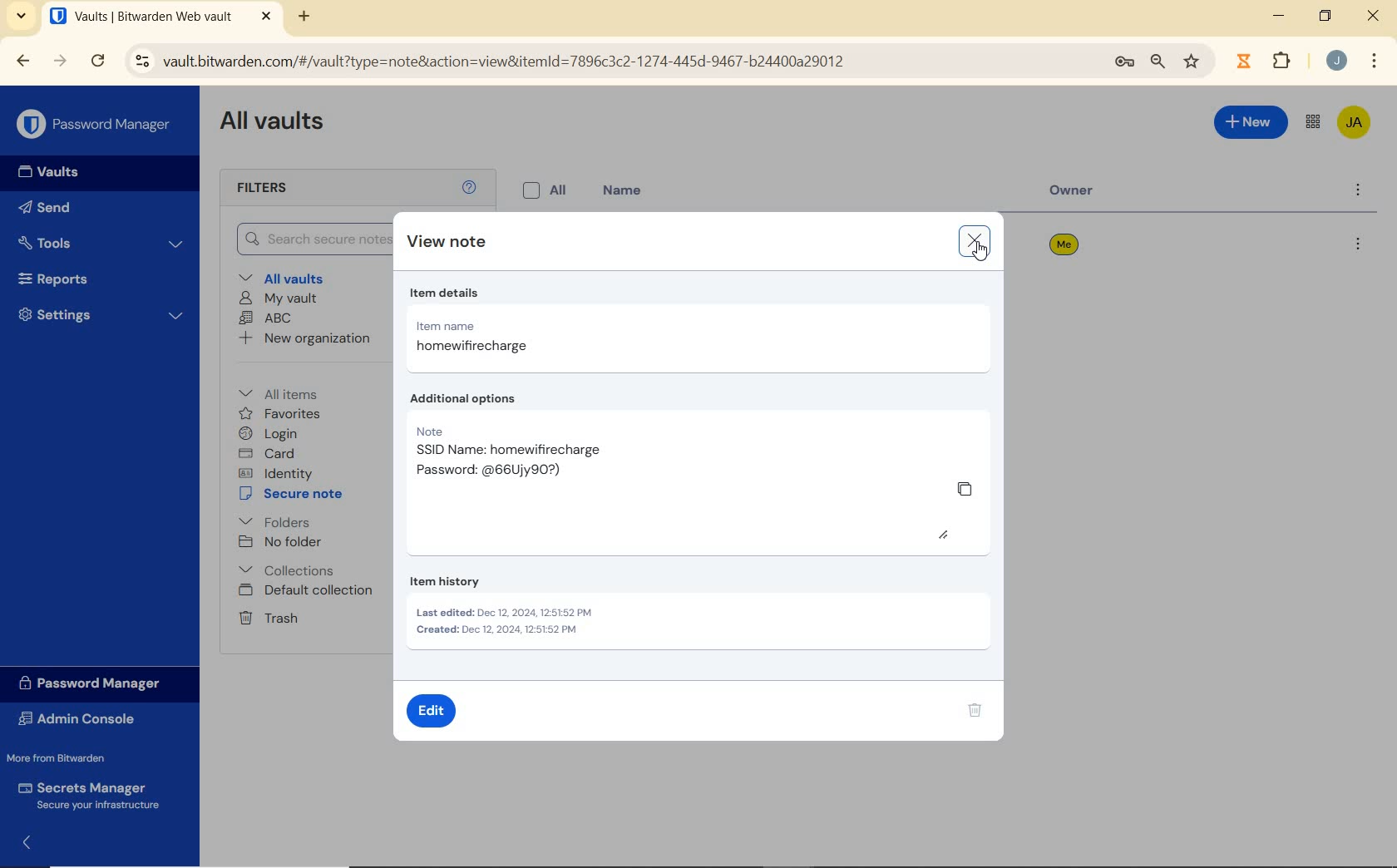  I want to click on Default collection, so click(308, 591).